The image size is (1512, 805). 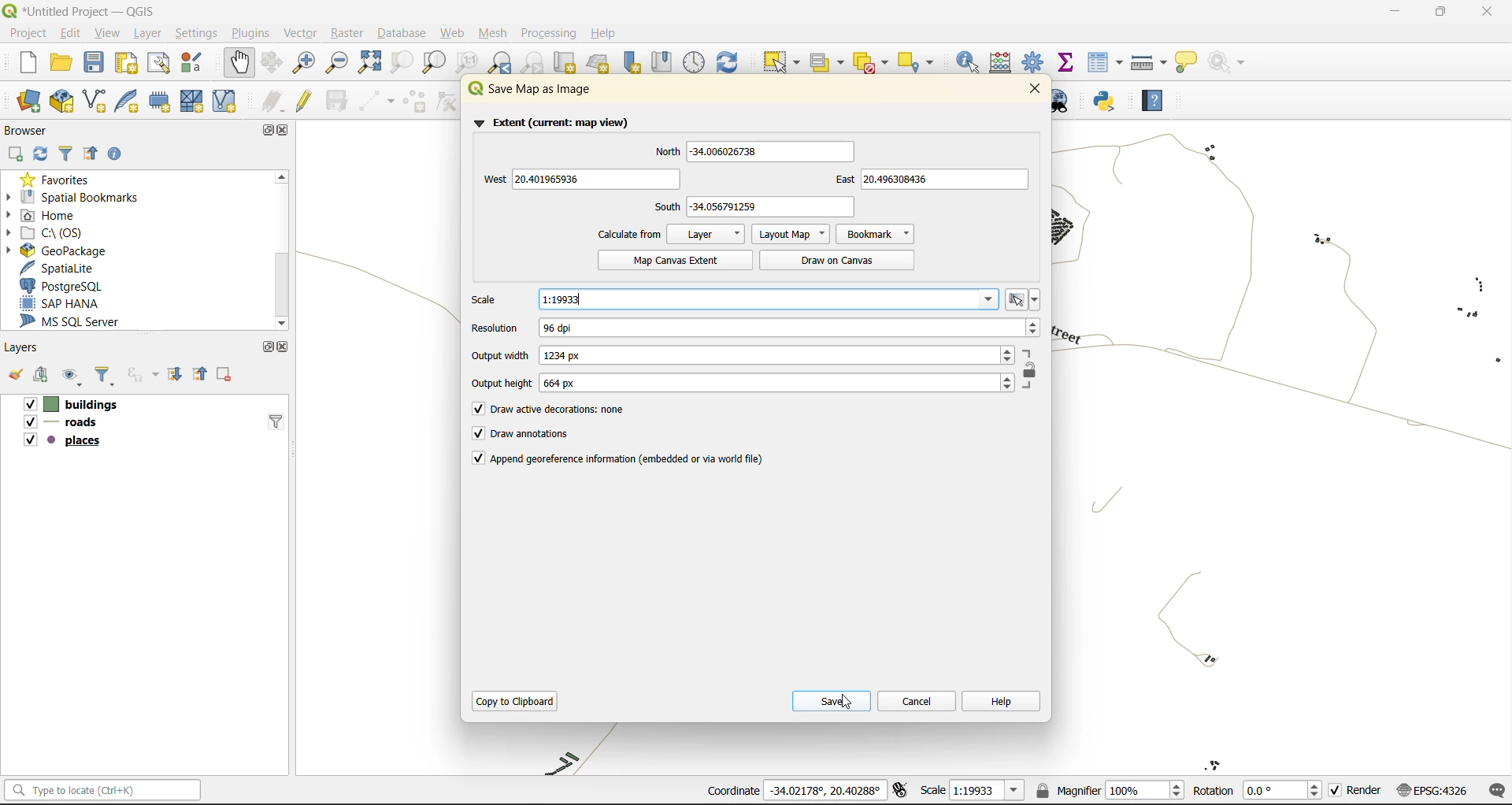 I want to click on zoom layer, so click(x=435, y=64).